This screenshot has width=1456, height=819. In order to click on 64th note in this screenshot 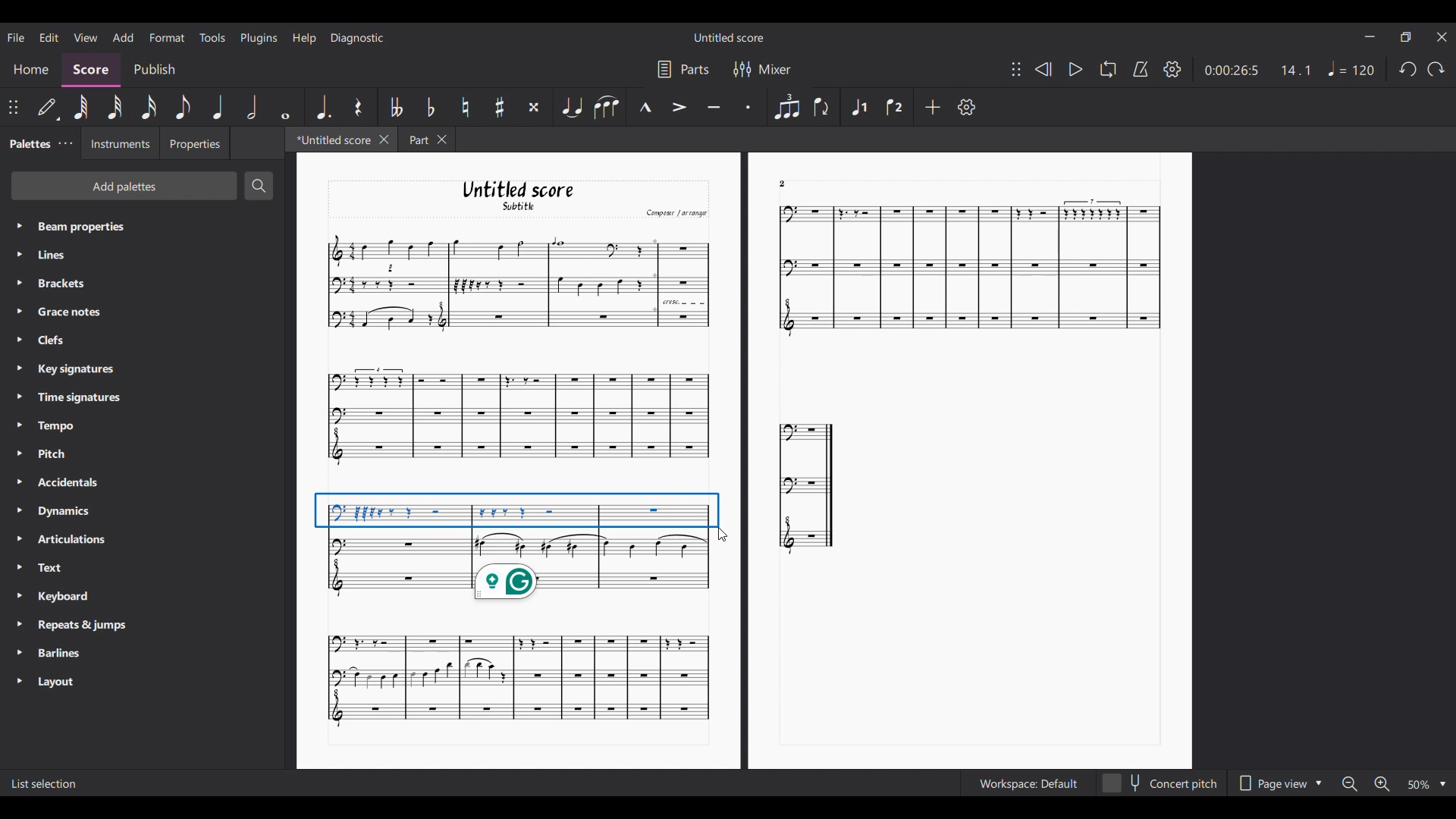, I will do `click(81, 107)`.